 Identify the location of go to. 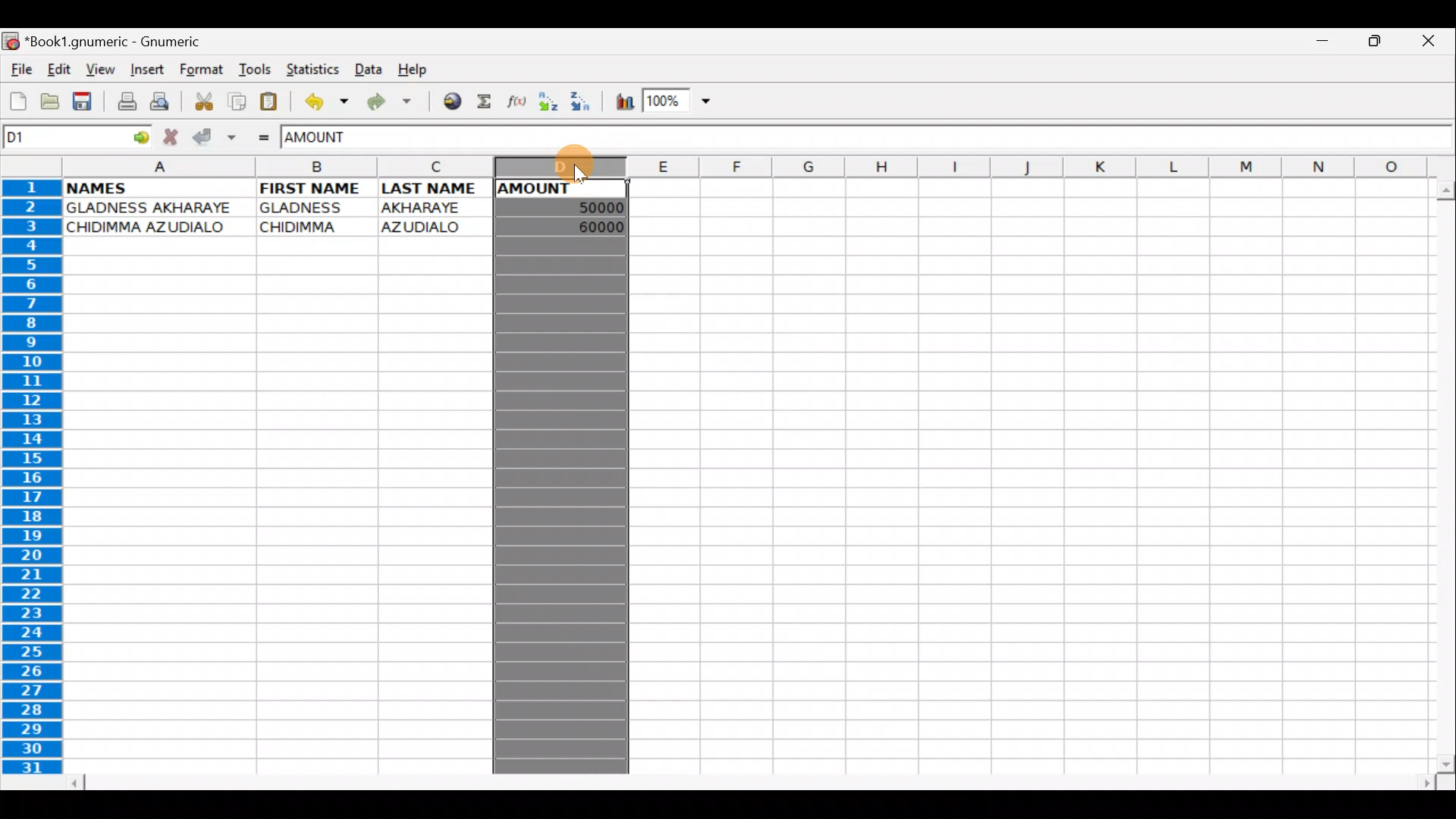
(144, 138).